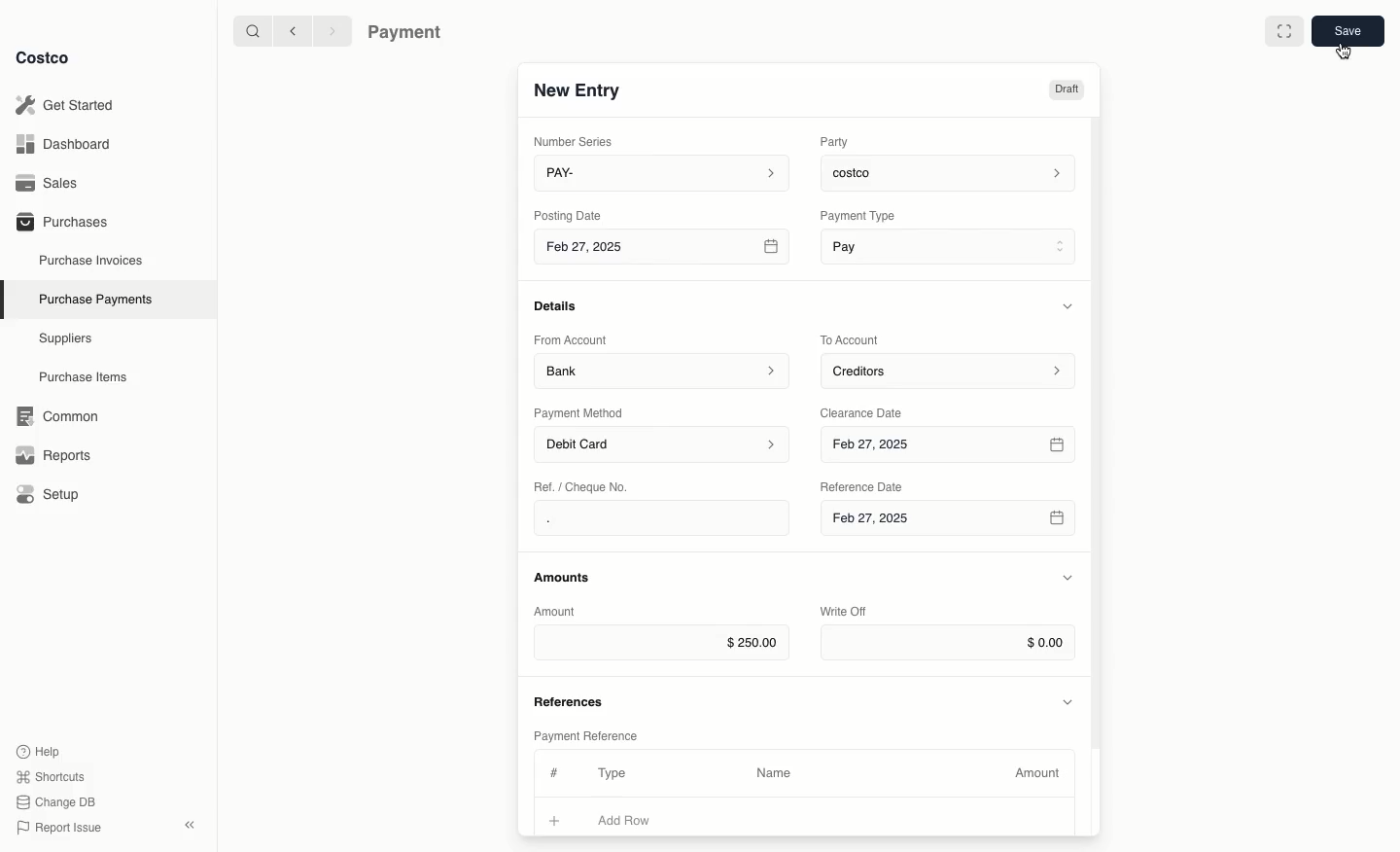 The image size is (1400, 852). Describe the element at coordinates (857, 215) in the screenshot. I see `‘Payment Type` at that location.